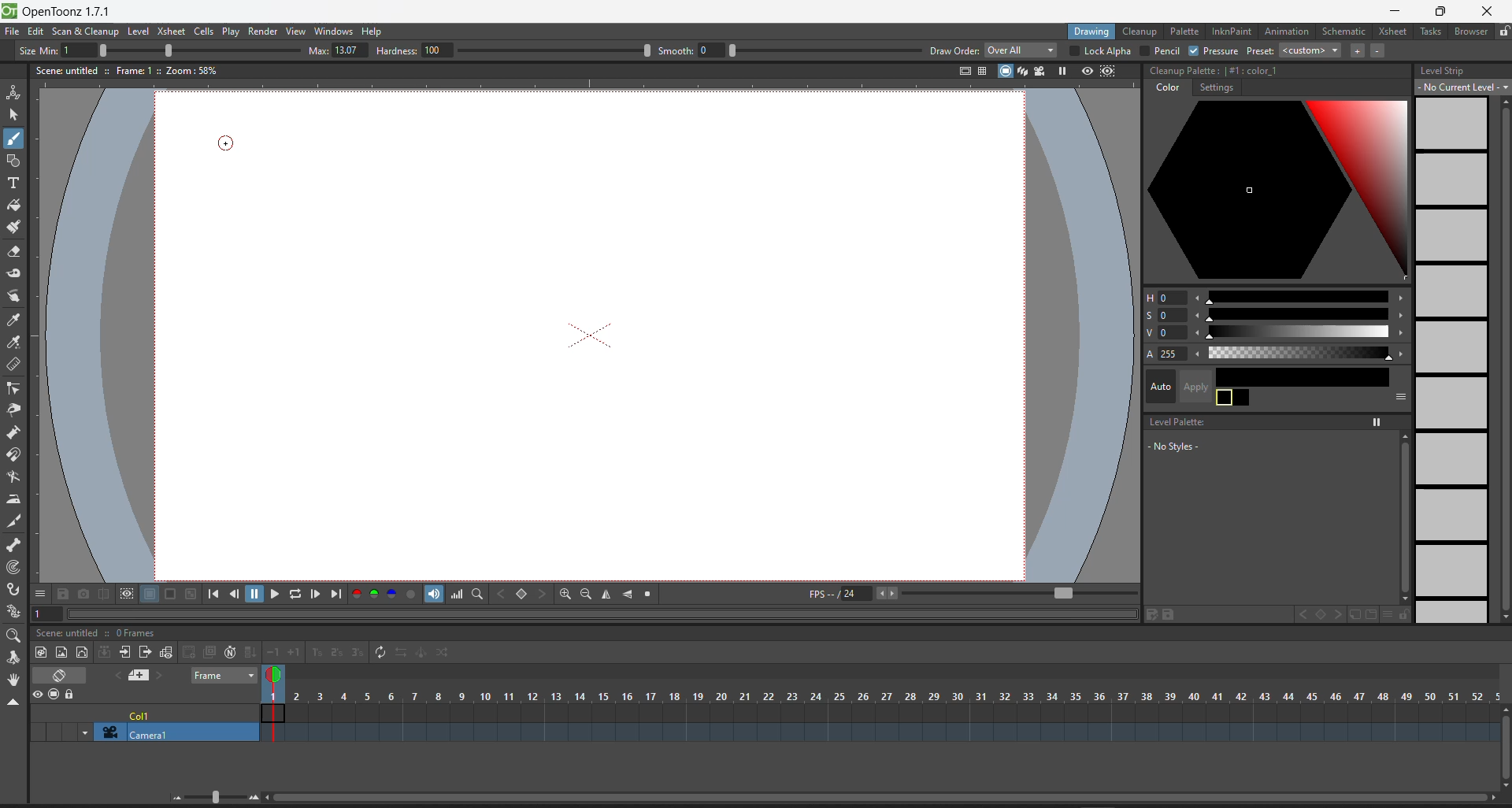  I want to click on preset, so click(1294, 50).